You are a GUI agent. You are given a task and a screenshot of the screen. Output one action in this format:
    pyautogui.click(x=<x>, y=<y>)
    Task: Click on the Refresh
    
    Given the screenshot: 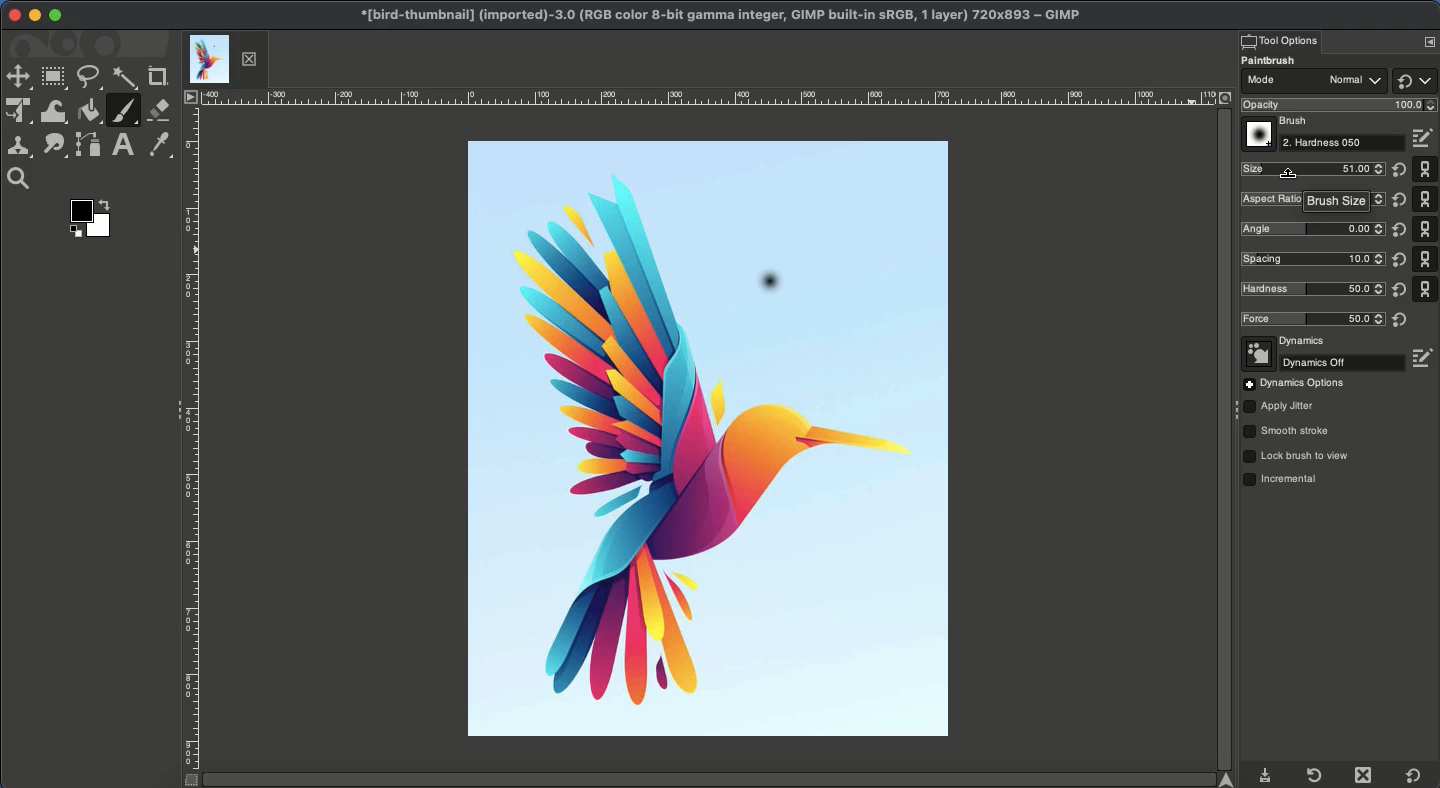 What is the action you would take?
    pyautogui.click(x=1313, y=775)
    